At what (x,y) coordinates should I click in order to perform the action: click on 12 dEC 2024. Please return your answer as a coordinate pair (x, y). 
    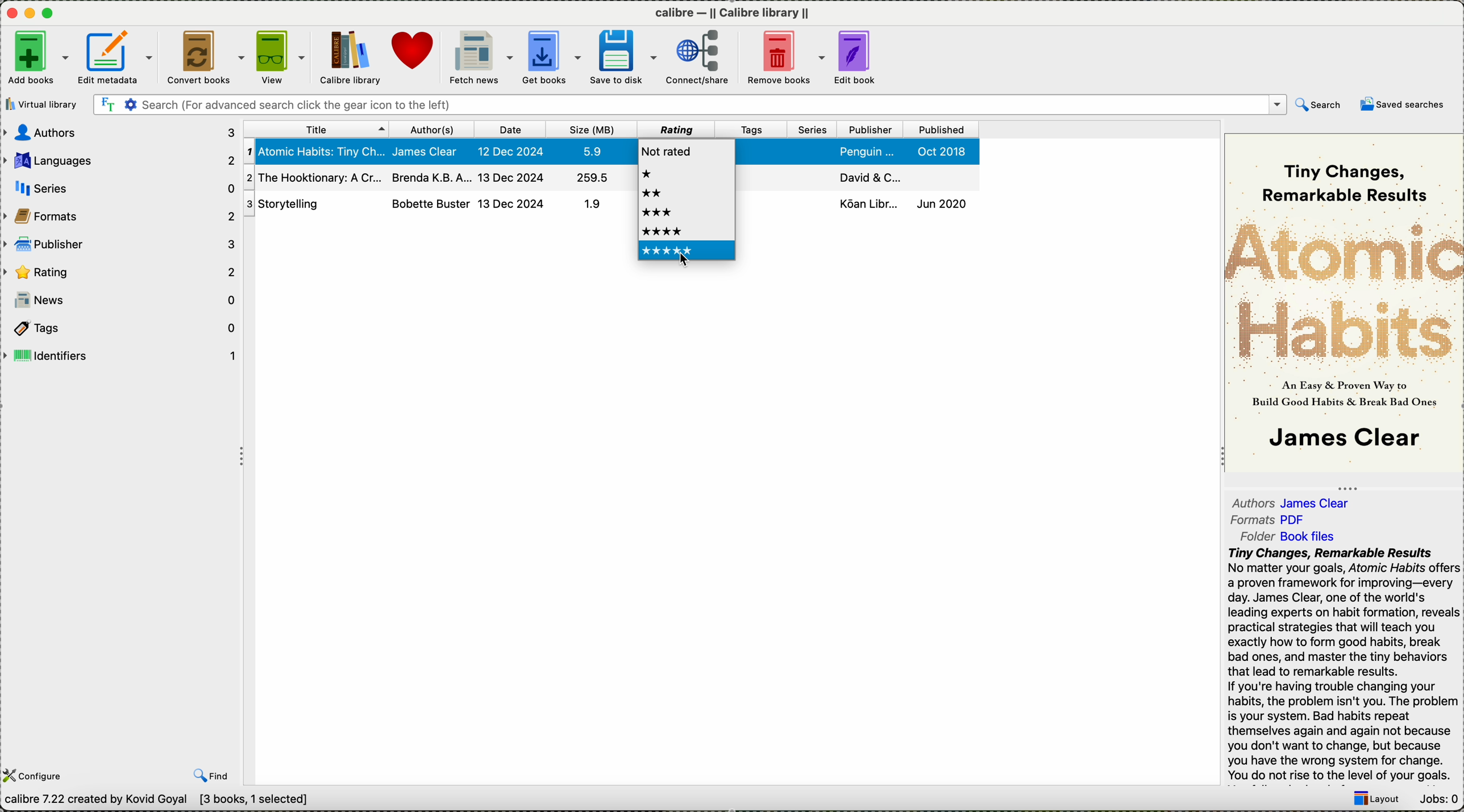
    Looking at the image, I should click on (513, 152).